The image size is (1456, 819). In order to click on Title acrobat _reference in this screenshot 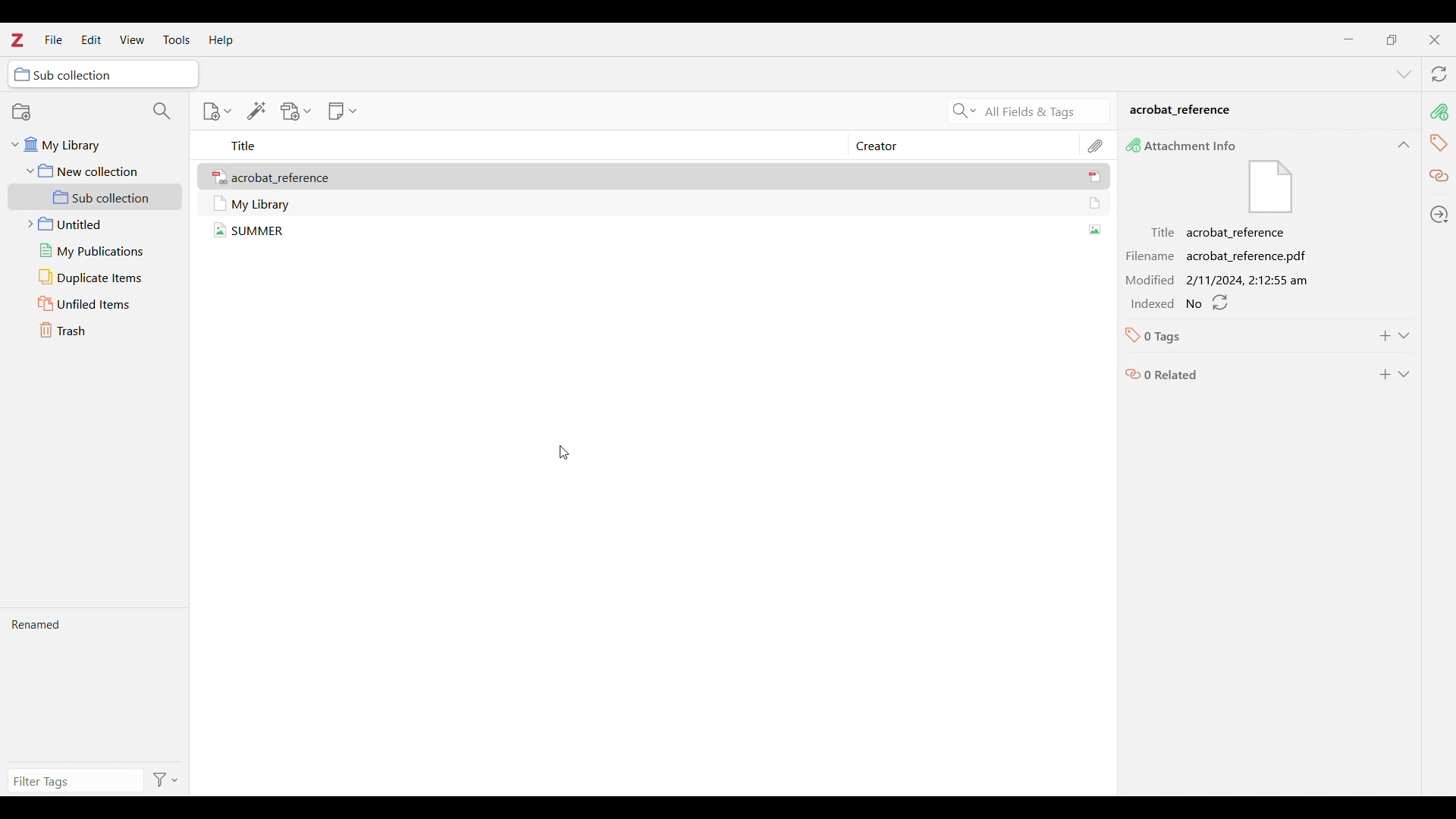, I will do `click(1222, 232)`.